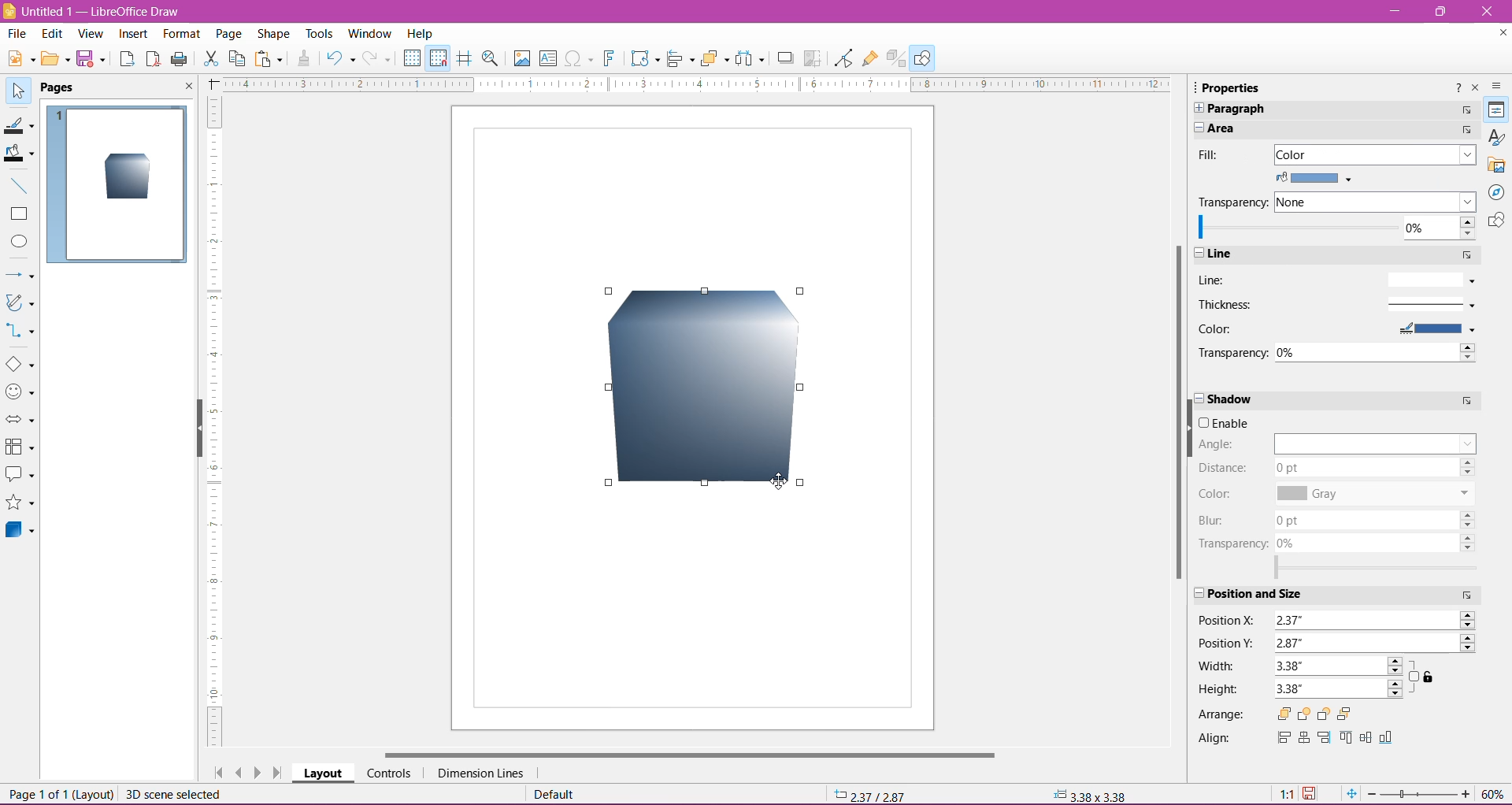 The height and width of the screenshot is (805, 1512). What do you see at coordinates (279, 773) in the screenshot?
I see `Scroll to last page` at bounding box center [279, 773].